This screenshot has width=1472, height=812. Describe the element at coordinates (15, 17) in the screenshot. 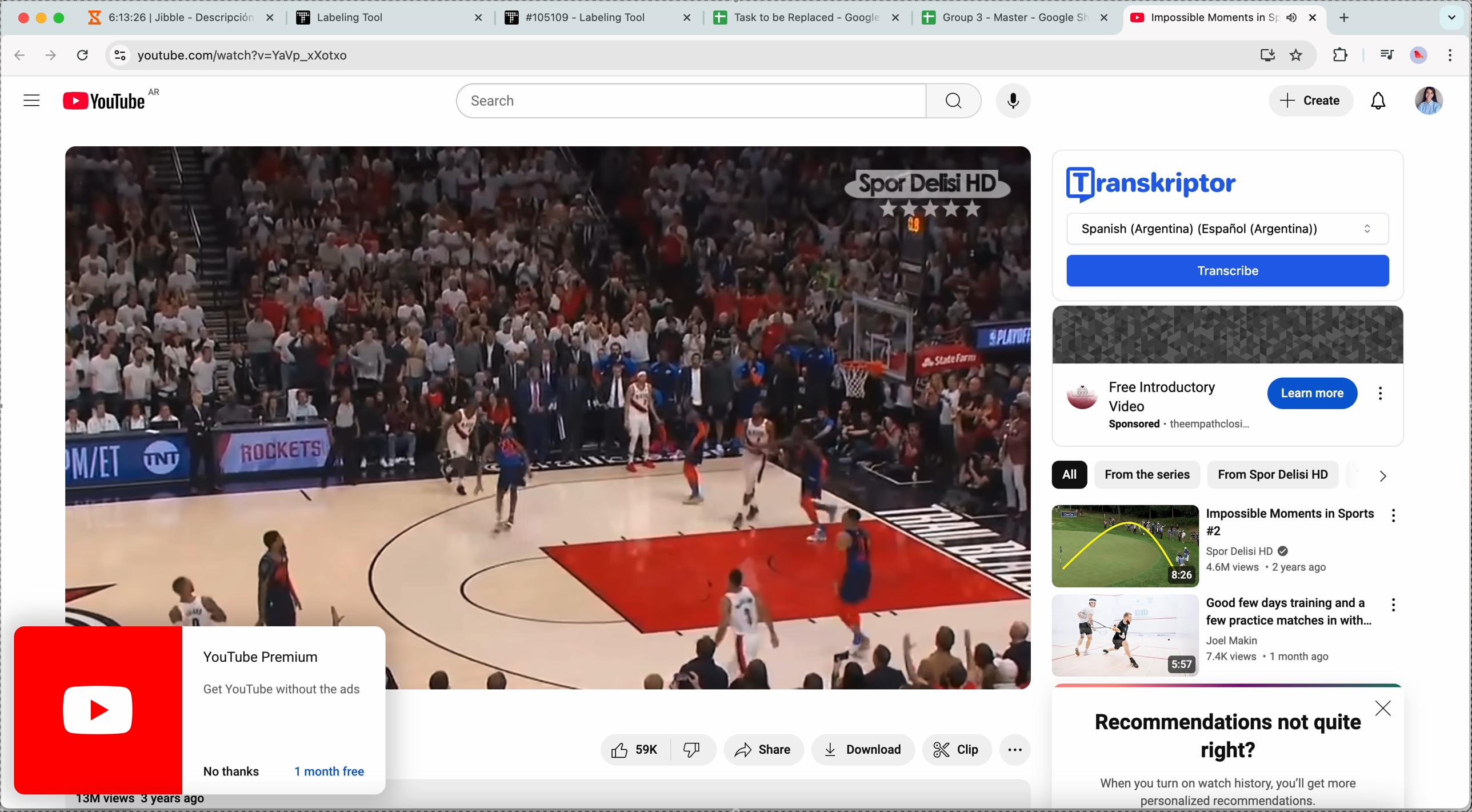

I see `close` at that location.